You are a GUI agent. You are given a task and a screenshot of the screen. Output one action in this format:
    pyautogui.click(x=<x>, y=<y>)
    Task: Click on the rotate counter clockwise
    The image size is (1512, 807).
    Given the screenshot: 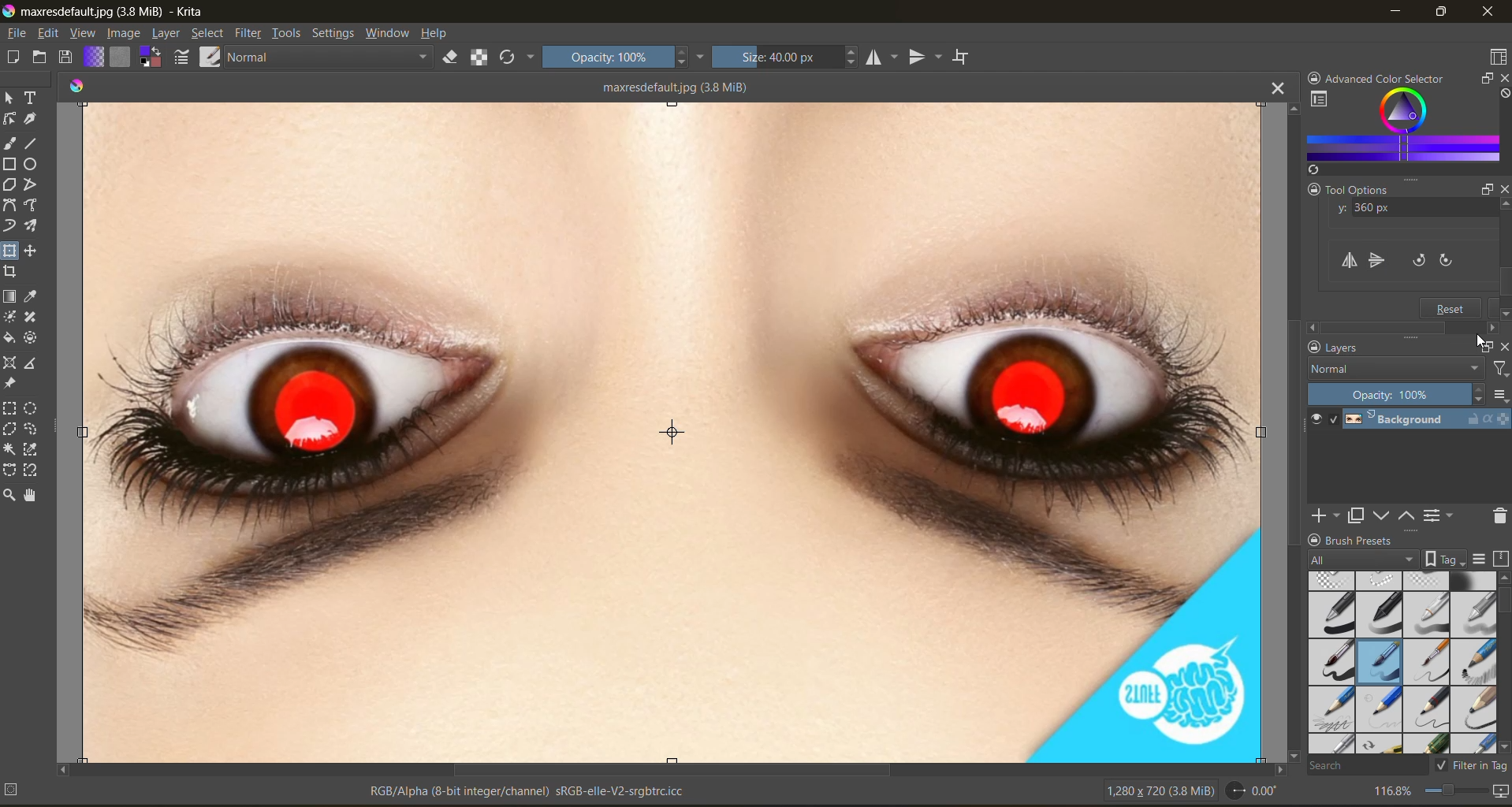 What is the action you would take?
    pyautogui.click(x=1420, y=258)
    